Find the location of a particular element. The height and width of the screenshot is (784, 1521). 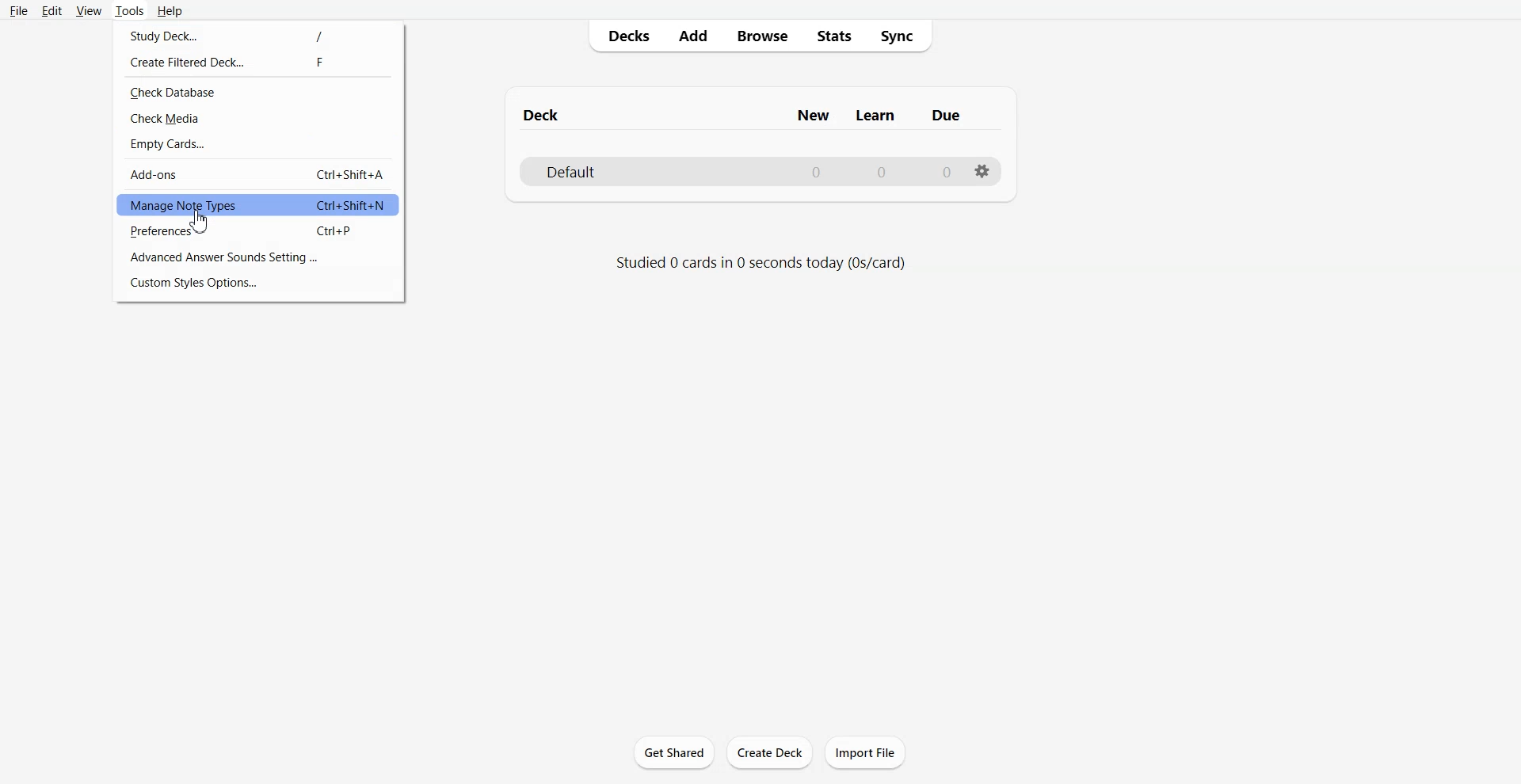

Add is located at coordinates (692, 36).